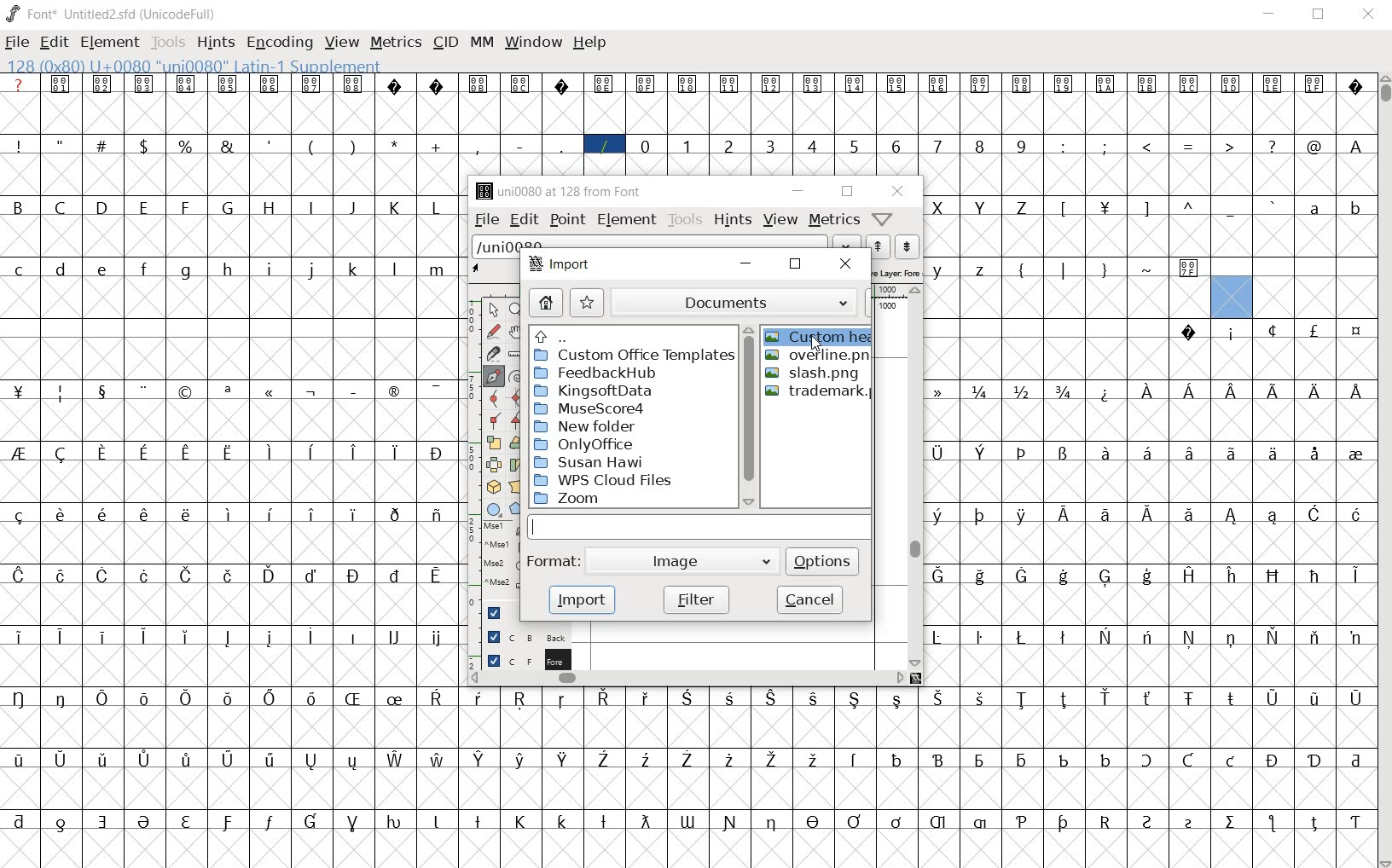 This screenshot has height=868, width=1392. What do you see at coordinates (230, 514) in the screenshot?
I see `glyph` at bounding box center [230, 514].